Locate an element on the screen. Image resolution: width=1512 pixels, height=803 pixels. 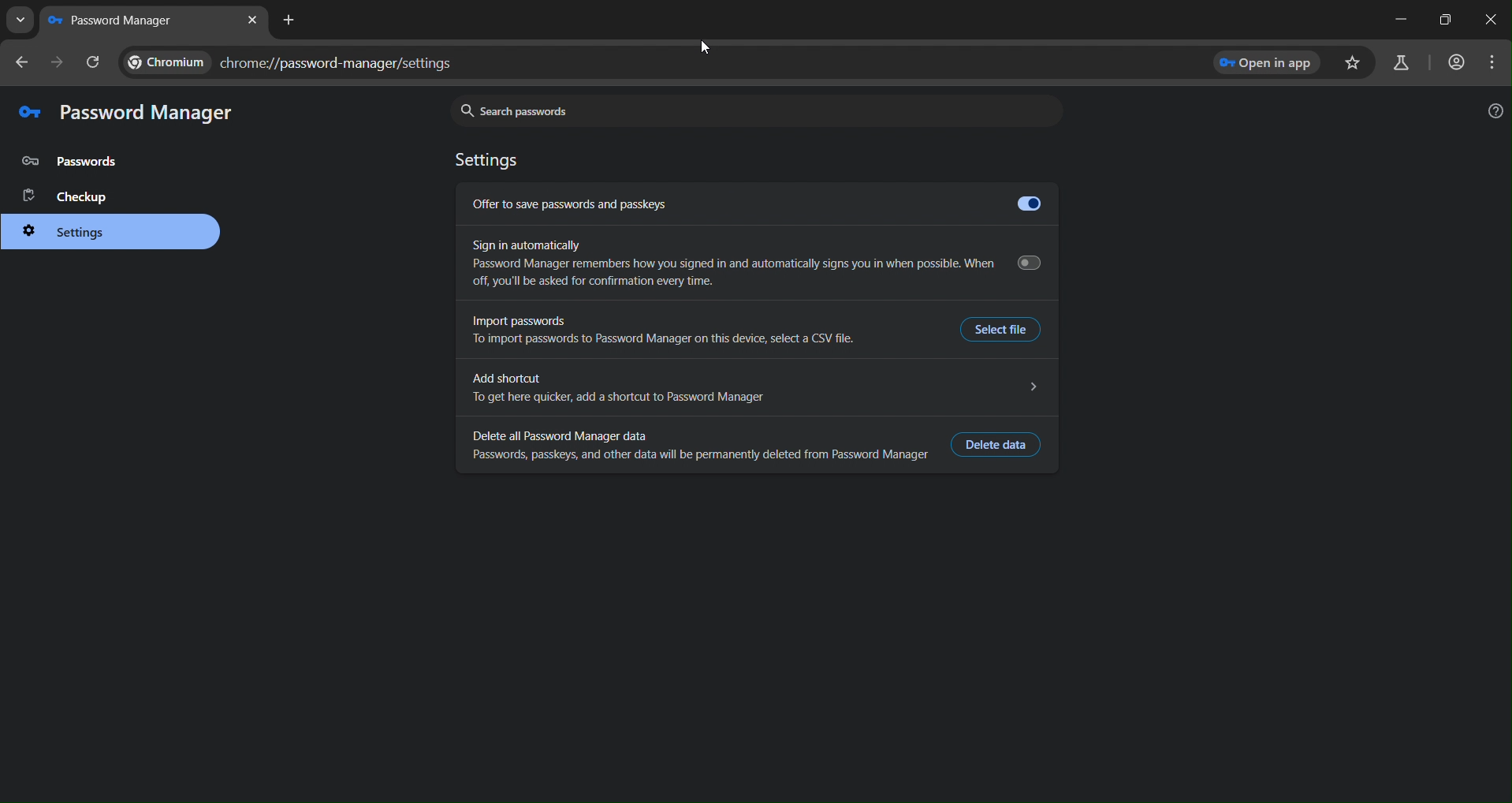
reload page is located at coordinates (95, 61).